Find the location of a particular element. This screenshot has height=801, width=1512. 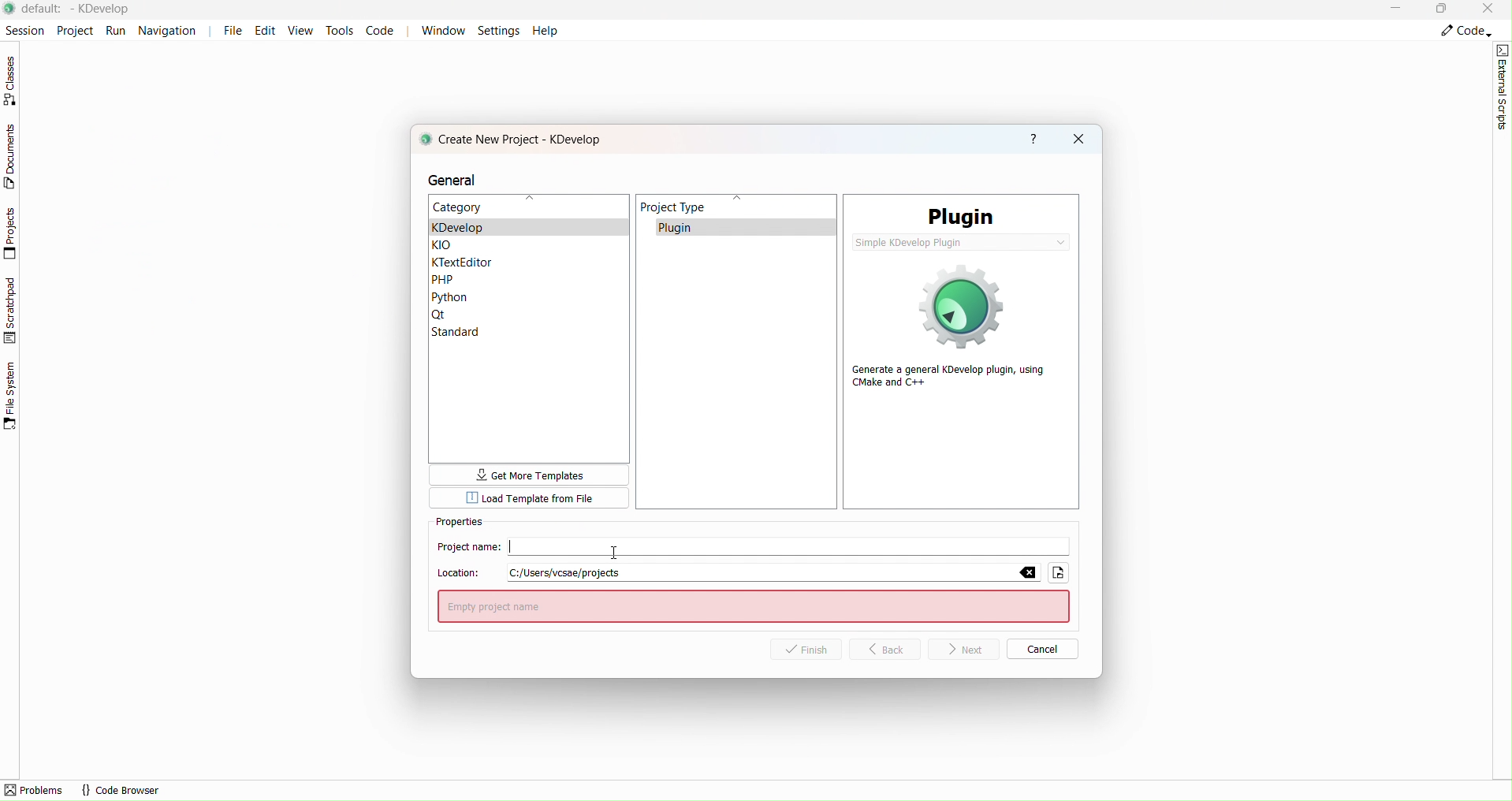

Standar is located at coordinates (465, 333).